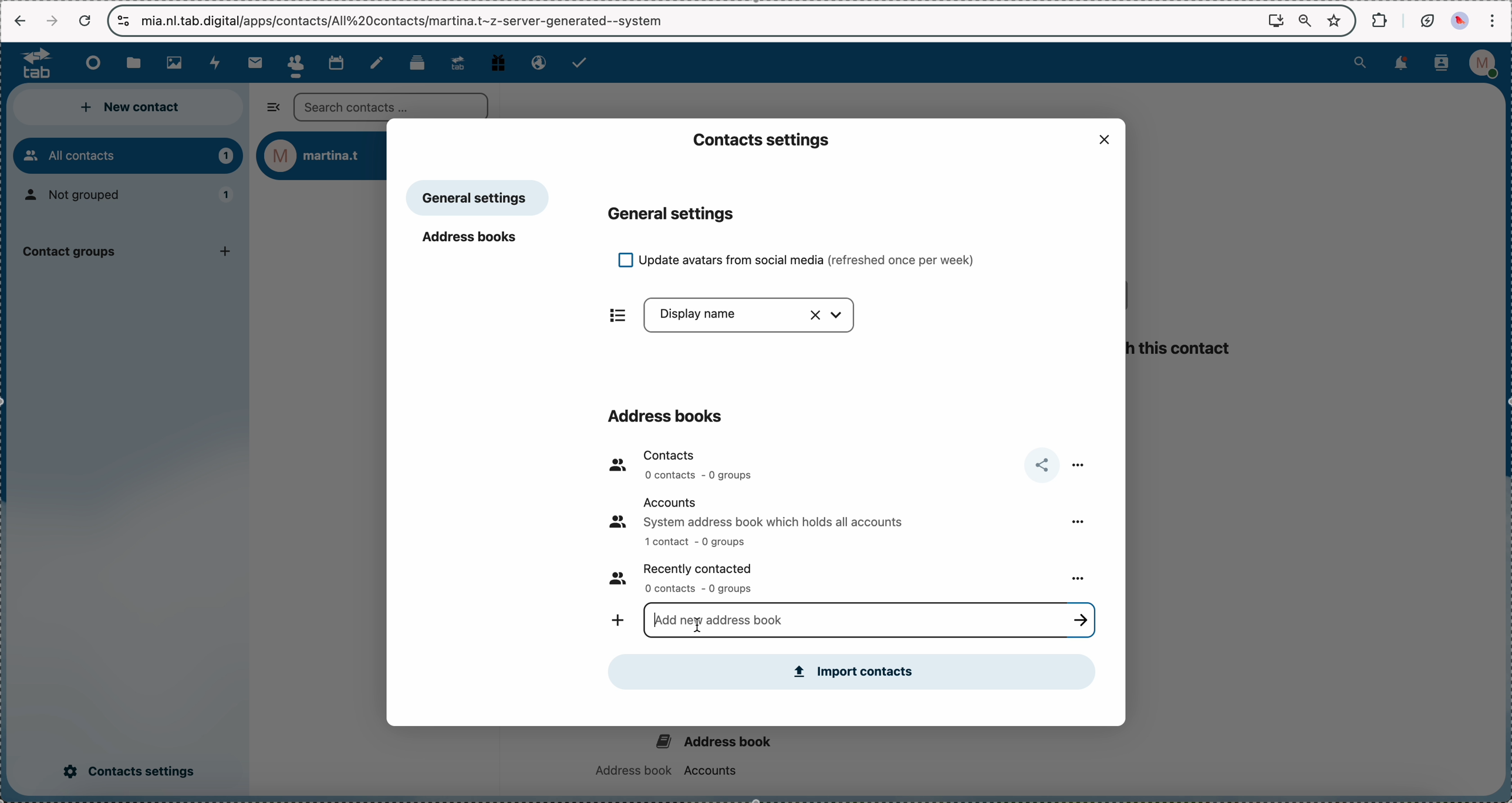 The image size is (1512, 803). What do you see at coordinates (1082, 579) in the screenshot?
I see `more options` at bounding box center [1082, 579].